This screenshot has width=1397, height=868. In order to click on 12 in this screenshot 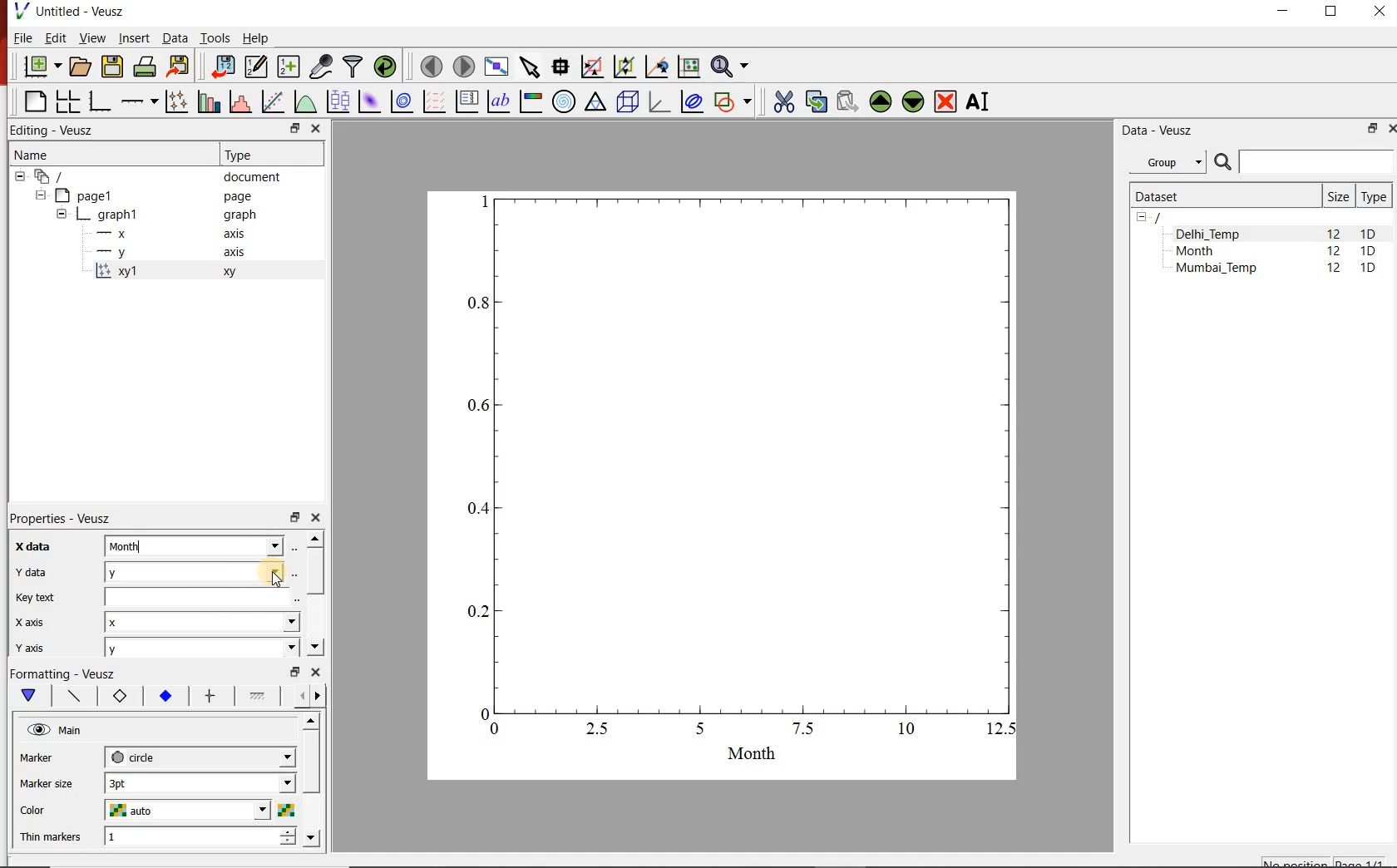, I will do `click(1334, 253)`.